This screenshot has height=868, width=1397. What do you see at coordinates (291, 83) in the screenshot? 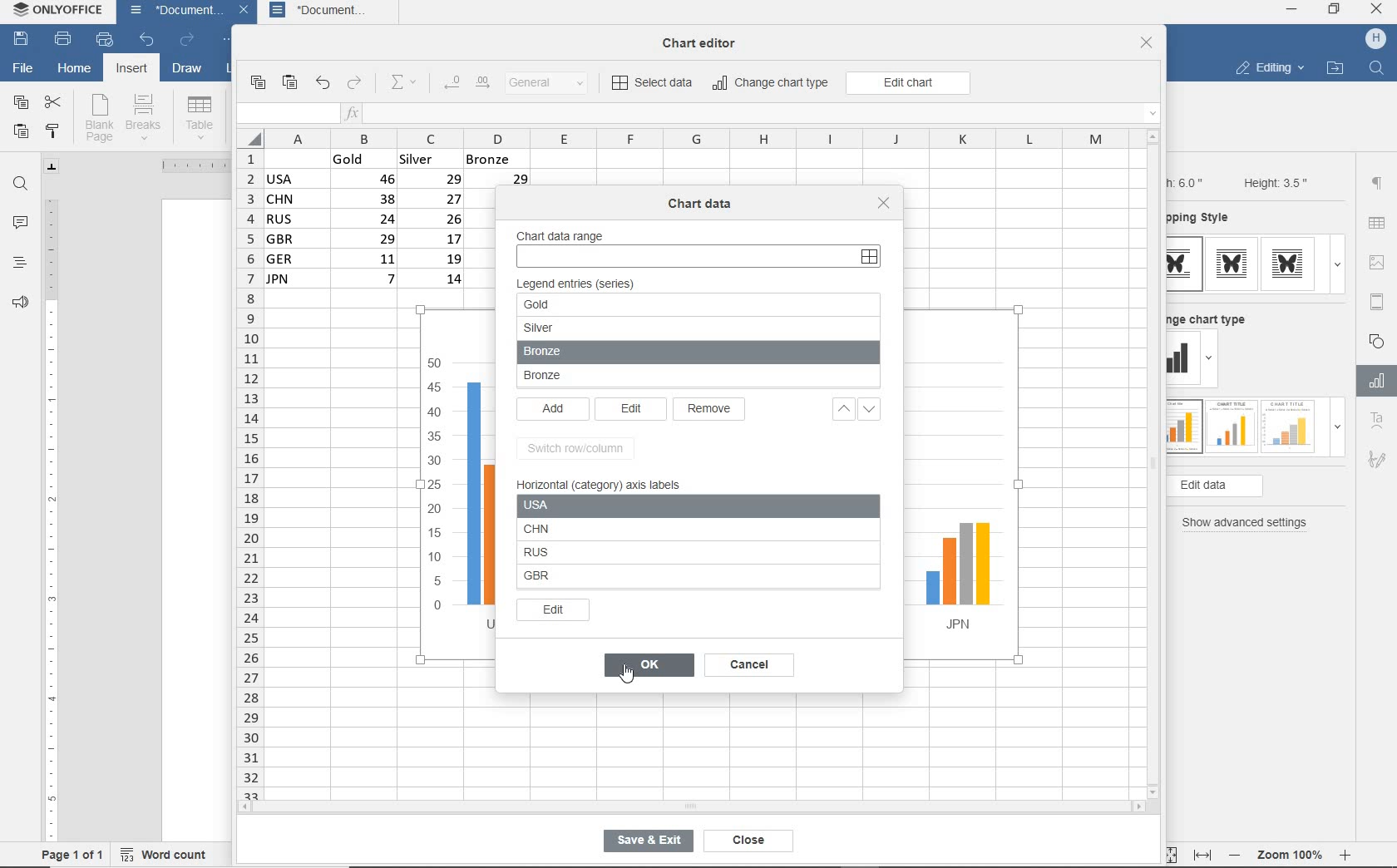
I see `paste` at bounding box center [291, 83].